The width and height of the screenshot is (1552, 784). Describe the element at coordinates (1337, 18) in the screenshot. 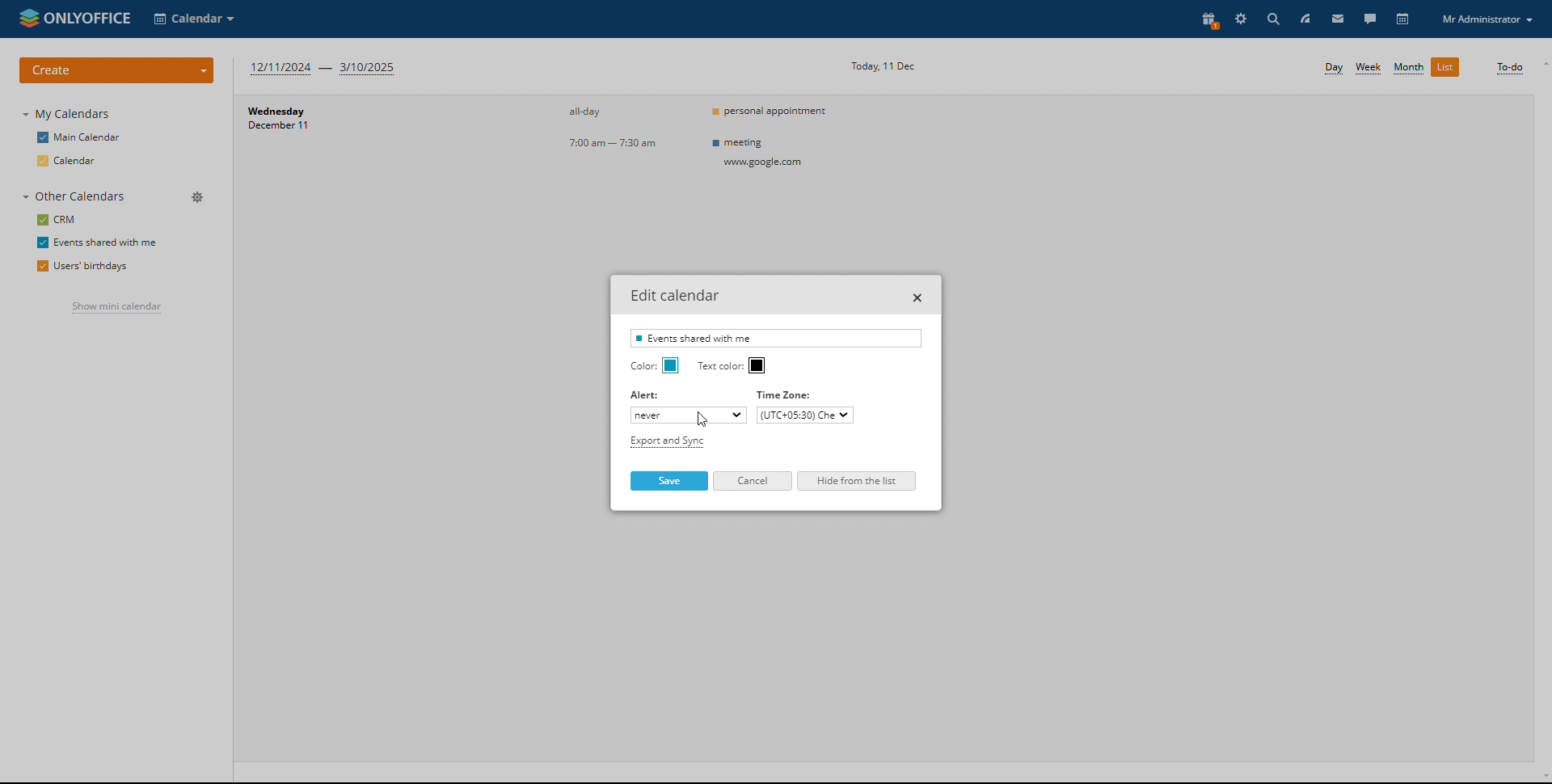

I see `mail` at that location.